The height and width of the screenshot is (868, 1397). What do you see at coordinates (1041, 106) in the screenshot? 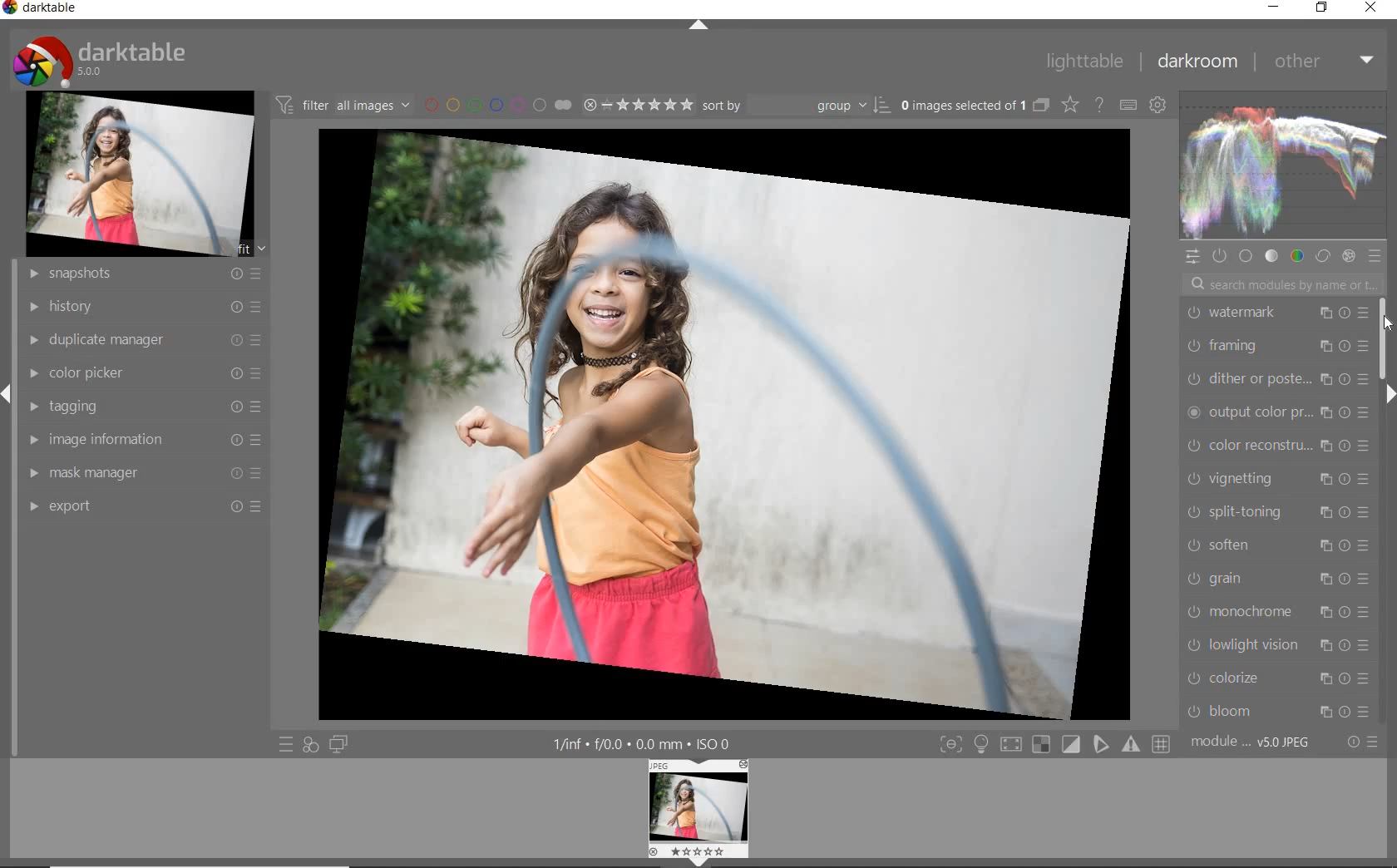
I see `collapse grouped images` at bounding box center [1041, 106].